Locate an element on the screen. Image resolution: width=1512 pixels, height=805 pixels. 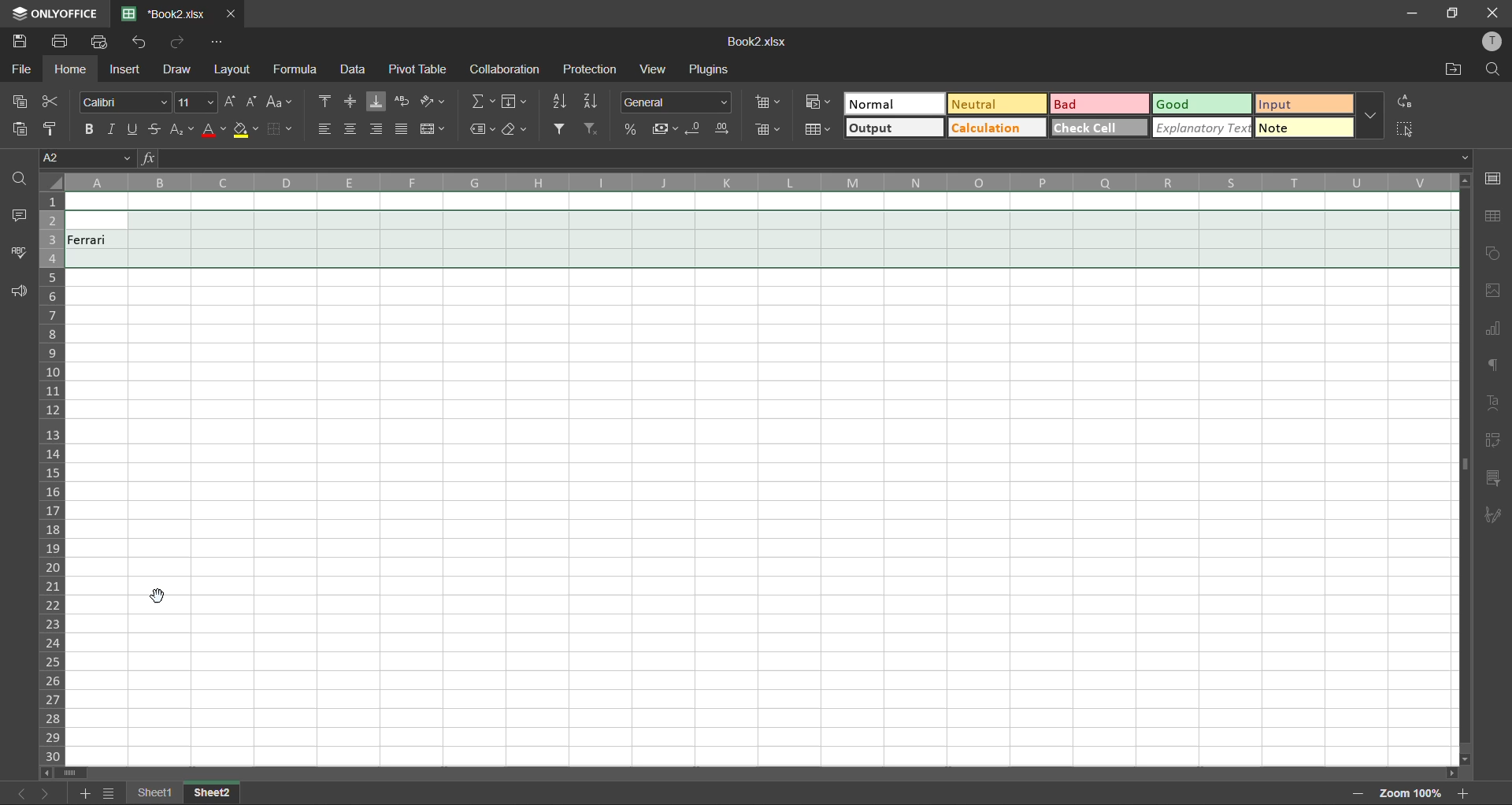
collaboration is located at coordinates (503, 69).